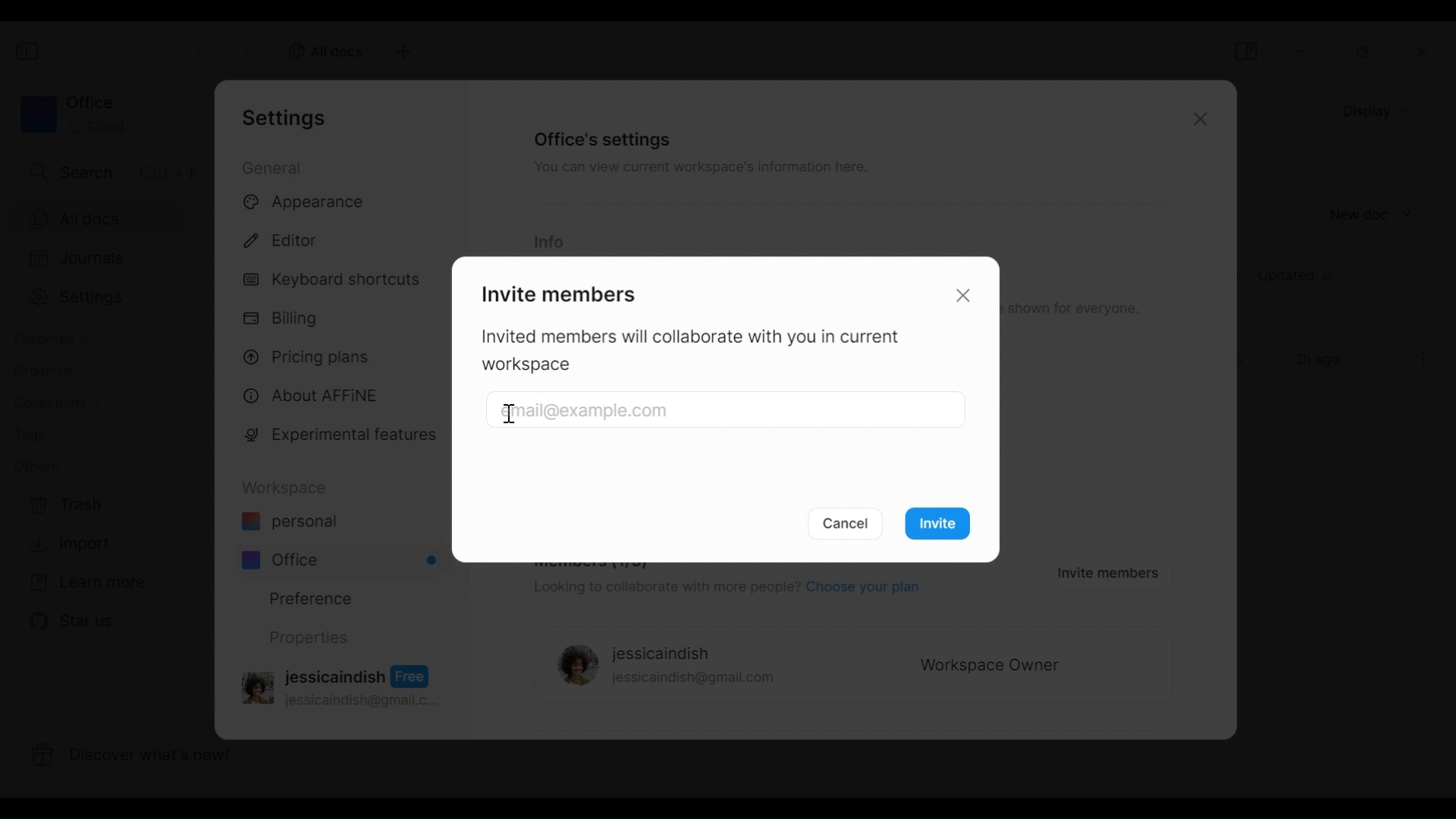 This screenshot has width=1456, height=819. What do you see at coordinates (1245, 51) in the screenshot?
I see `Show/Hide Sidebar` at bounding box center [1245, 51].